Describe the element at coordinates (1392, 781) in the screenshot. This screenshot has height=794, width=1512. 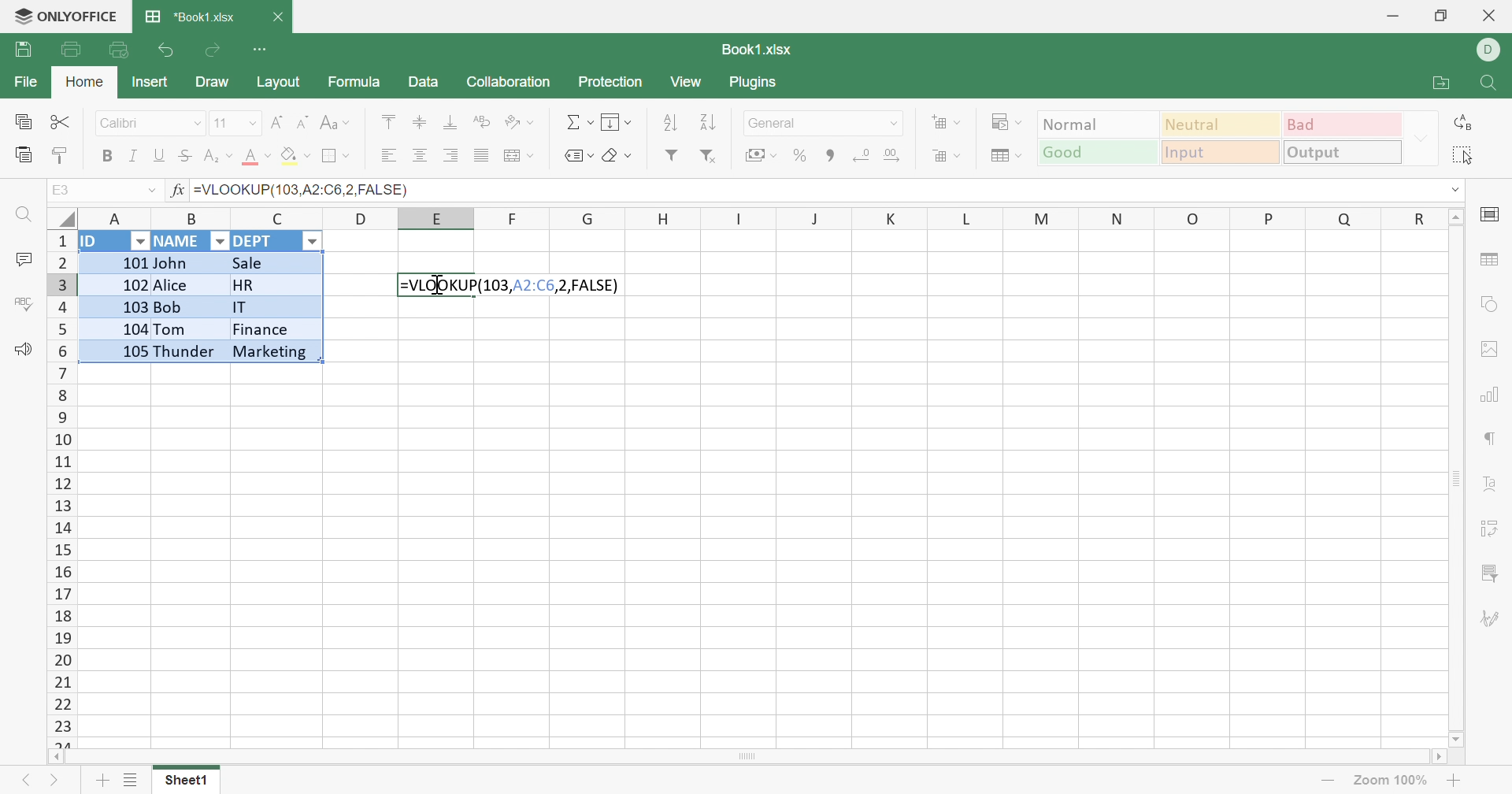
I see `Zoom 100%` at that location.